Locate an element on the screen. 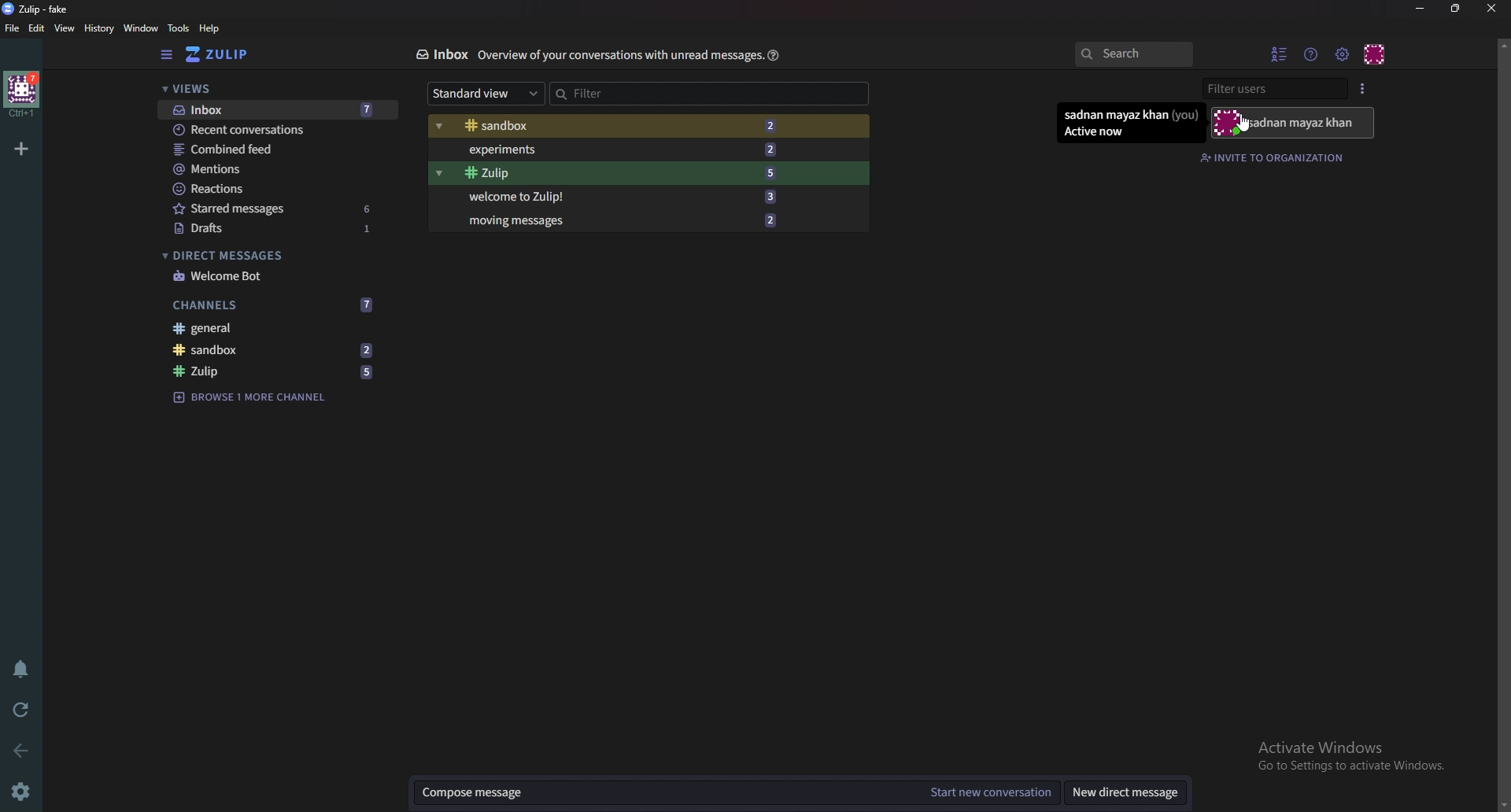  Direct messages is located at coordinates (270, 254).